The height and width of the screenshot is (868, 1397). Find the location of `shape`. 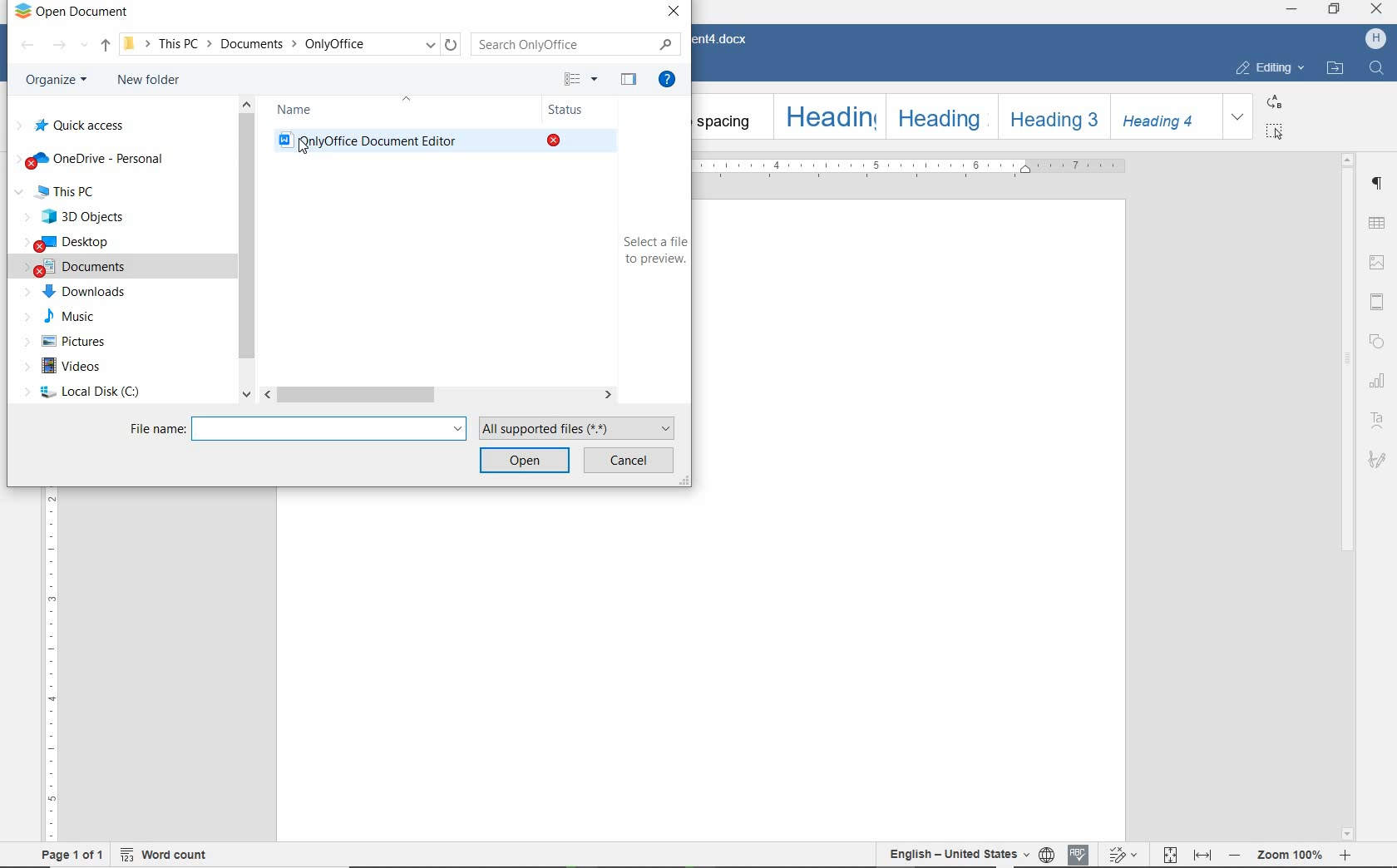

shape is located at coordinates (1376, 341).